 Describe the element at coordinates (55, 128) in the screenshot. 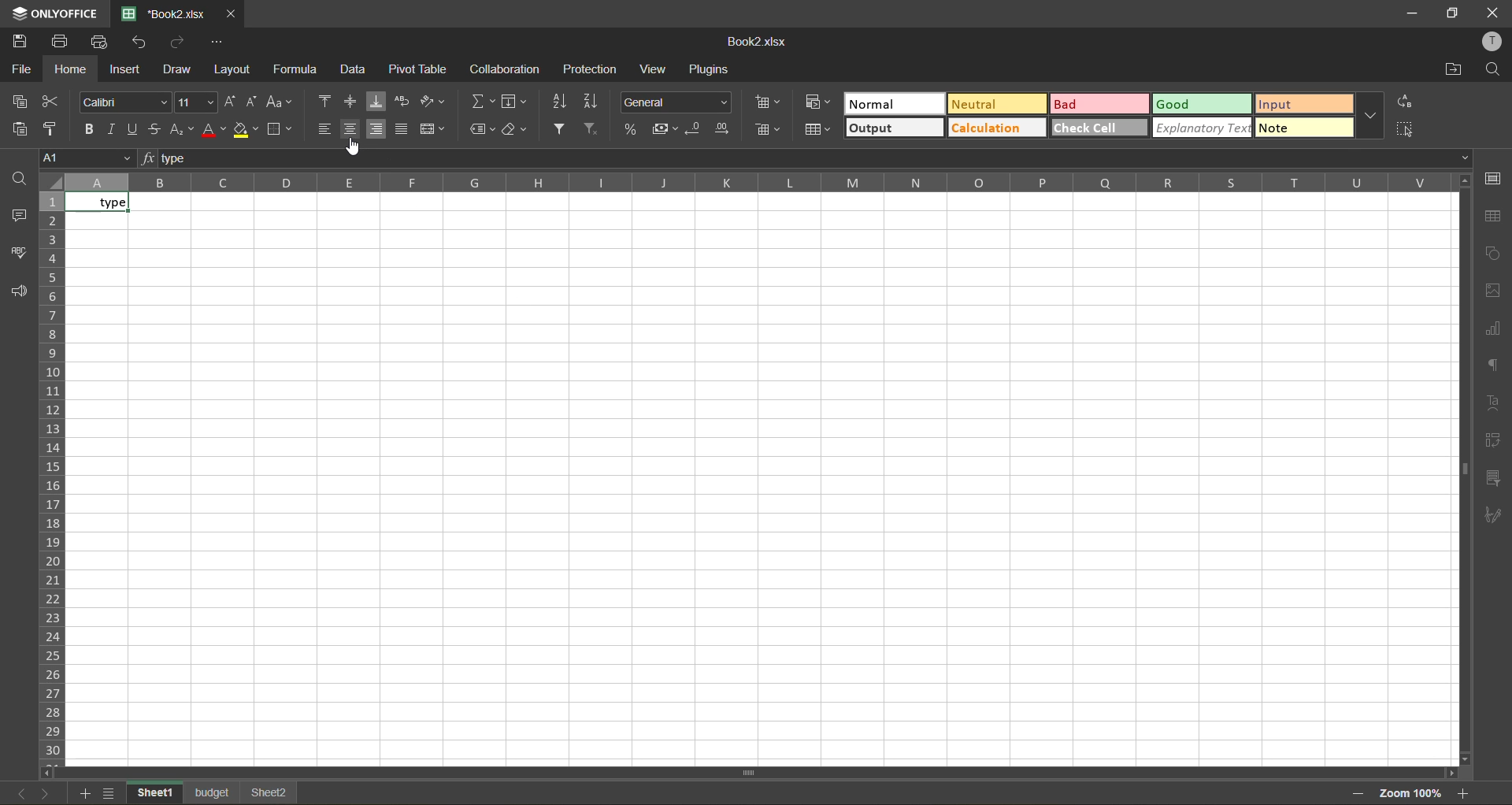

I see `copy style` at that location.